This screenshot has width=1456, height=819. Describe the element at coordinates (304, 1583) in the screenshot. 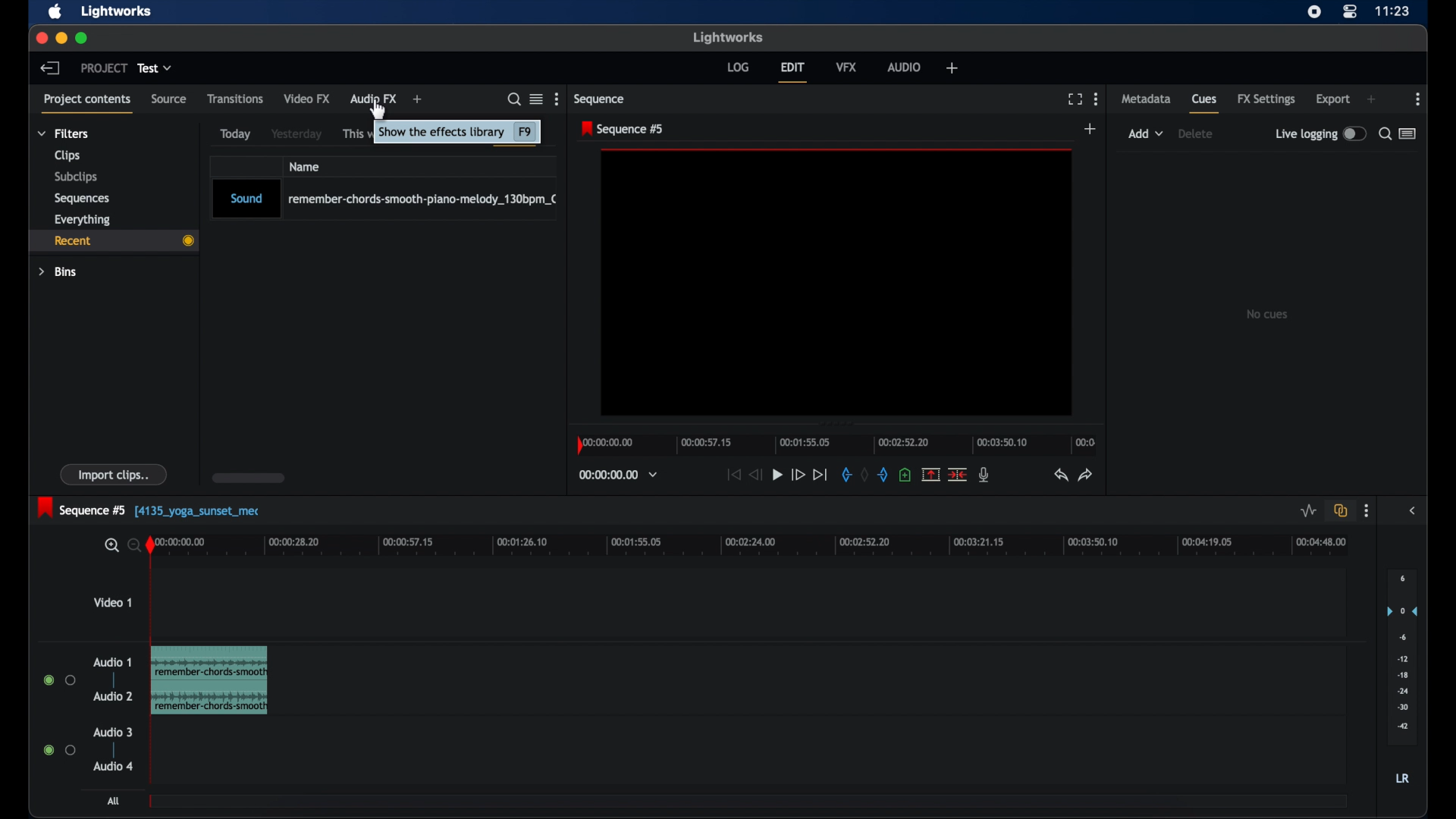

I see `zoom` at that location.